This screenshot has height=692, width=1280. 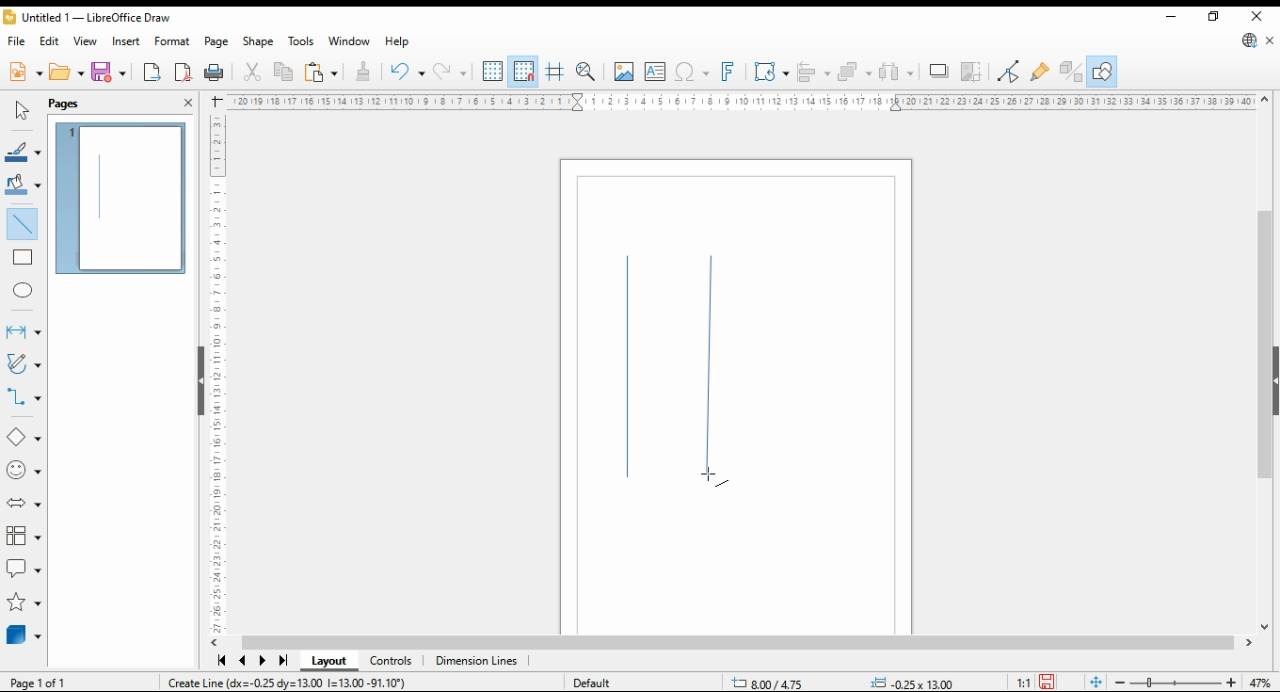 I want to click on save, so click(x=109, y=71).